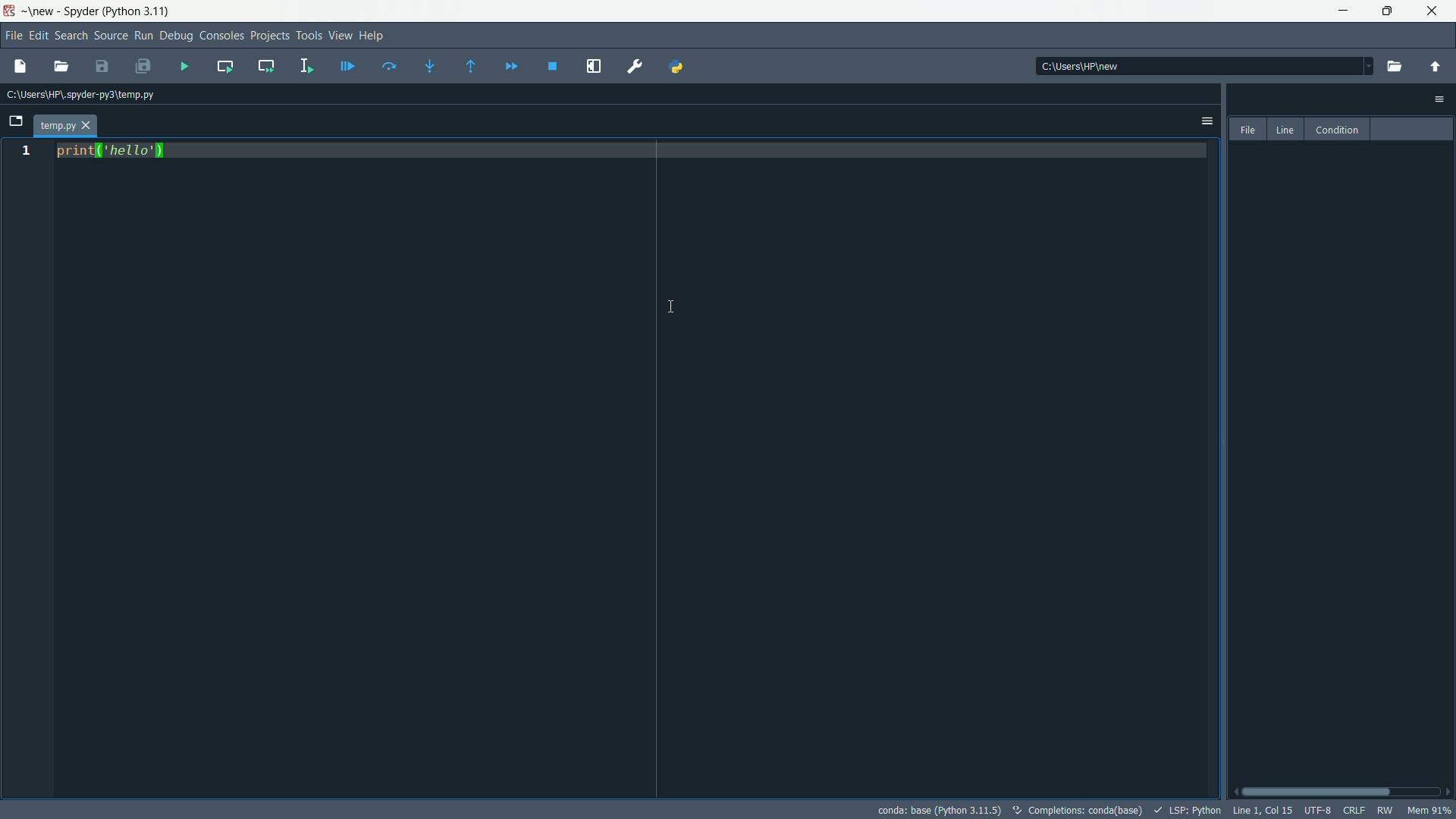 The height and width of the screenshot is (819, 1456). What do you see at coordinates (308, 35) in the screenshot?
I see `tools menu` at bounding box center [308, 35].